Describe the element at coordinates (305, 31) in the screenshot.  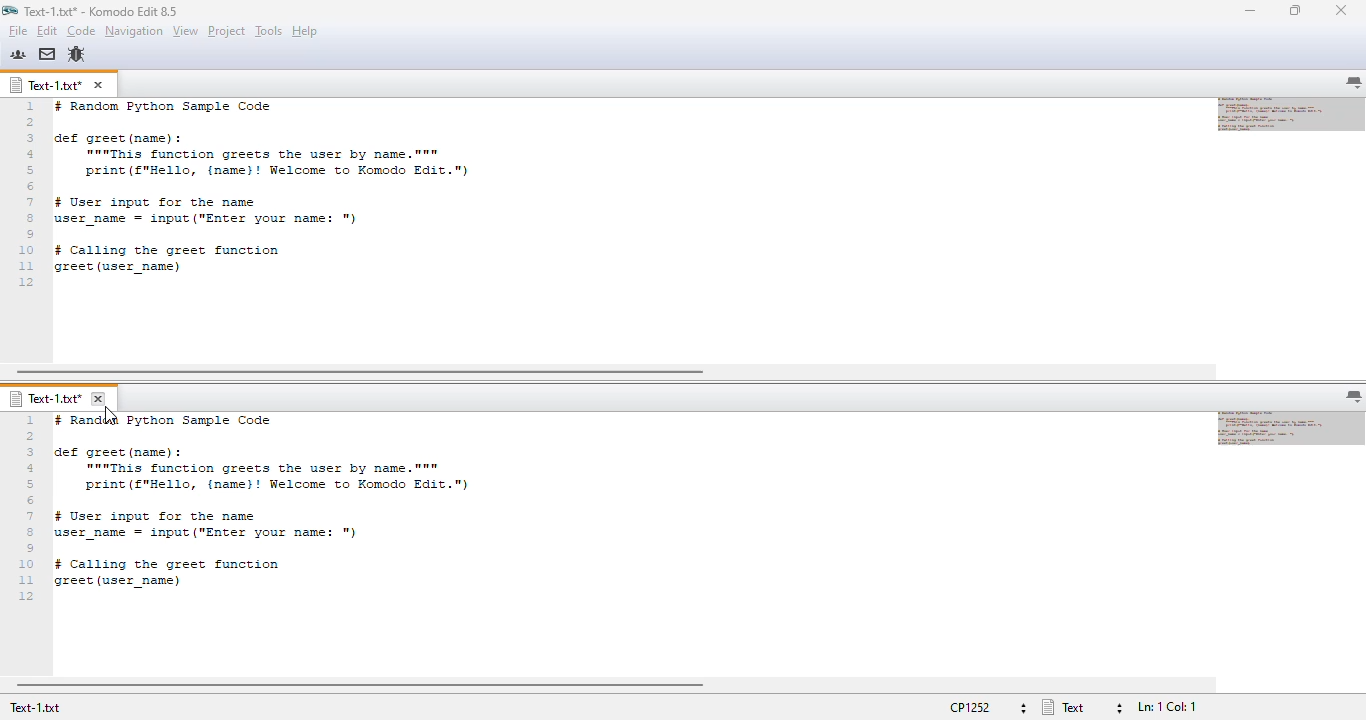
I see `help` at that location.